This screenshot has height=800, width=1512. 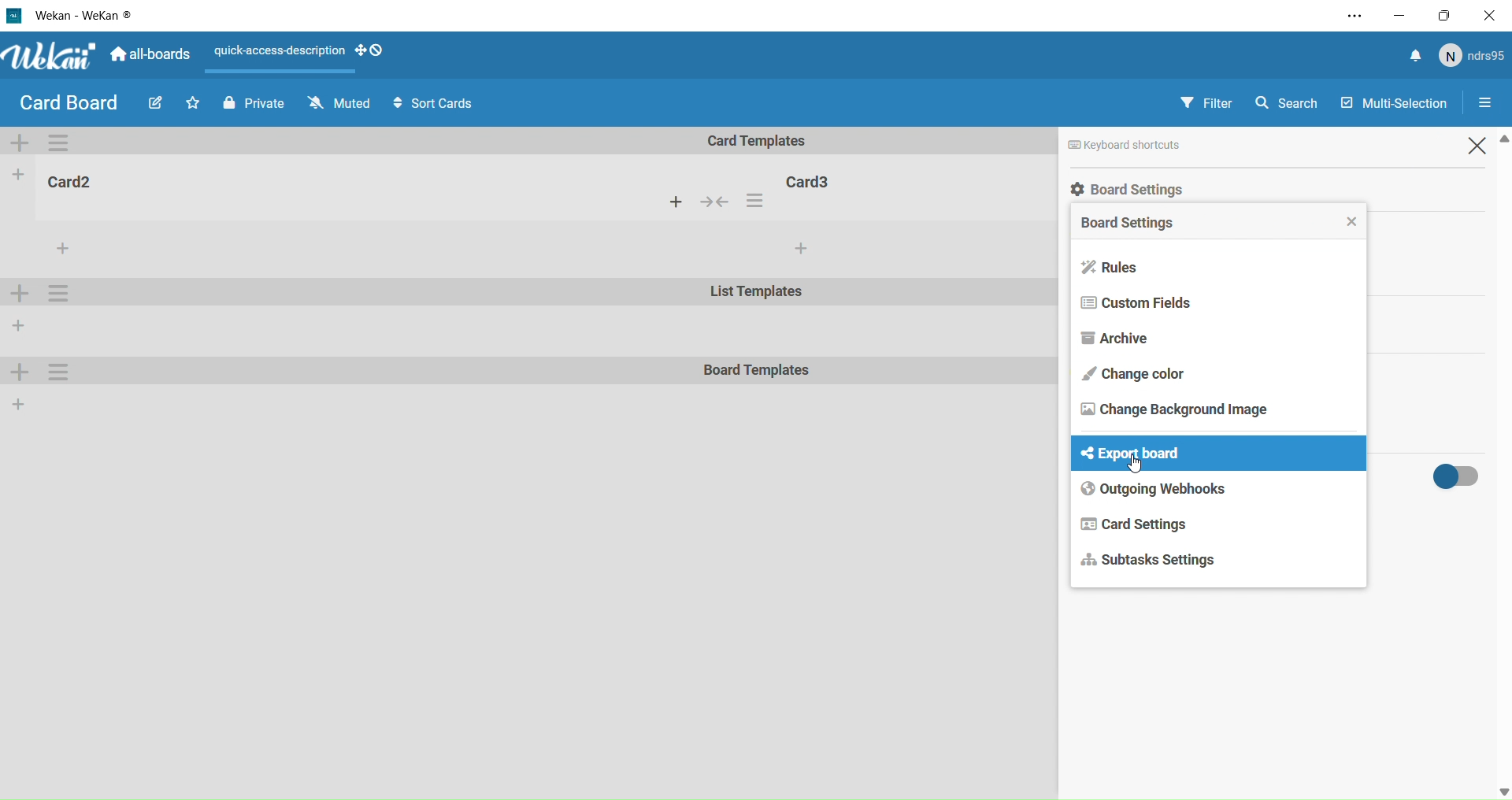 I want to click on Archive, so click(x=1116, y=337).